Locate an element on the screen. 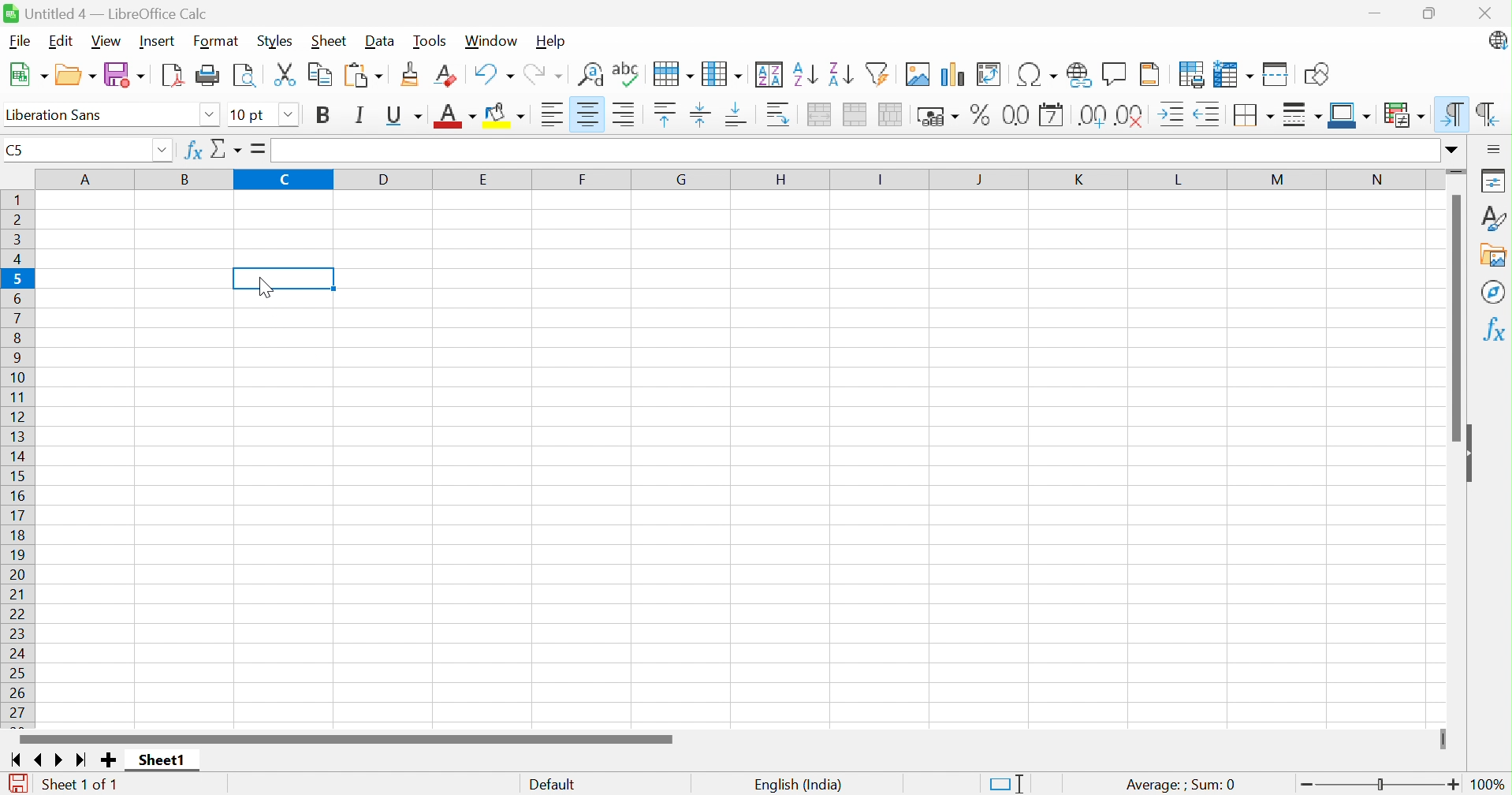  Format as Currency is located at coordinates (937, 117).